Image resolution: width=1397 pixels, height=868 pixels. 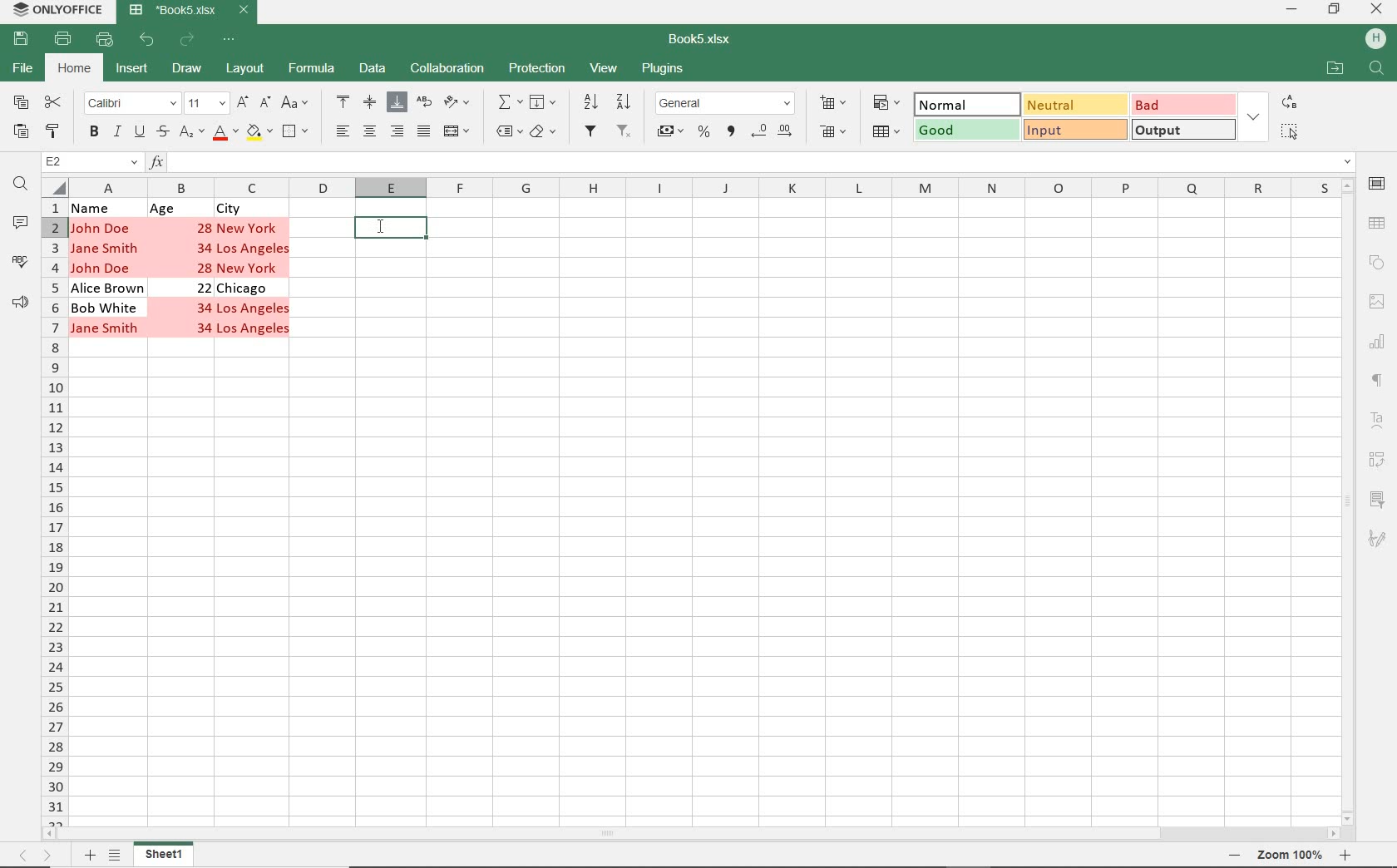 I want to click on FEEDBACK & SUPPORT, so click(x=22, y=298).